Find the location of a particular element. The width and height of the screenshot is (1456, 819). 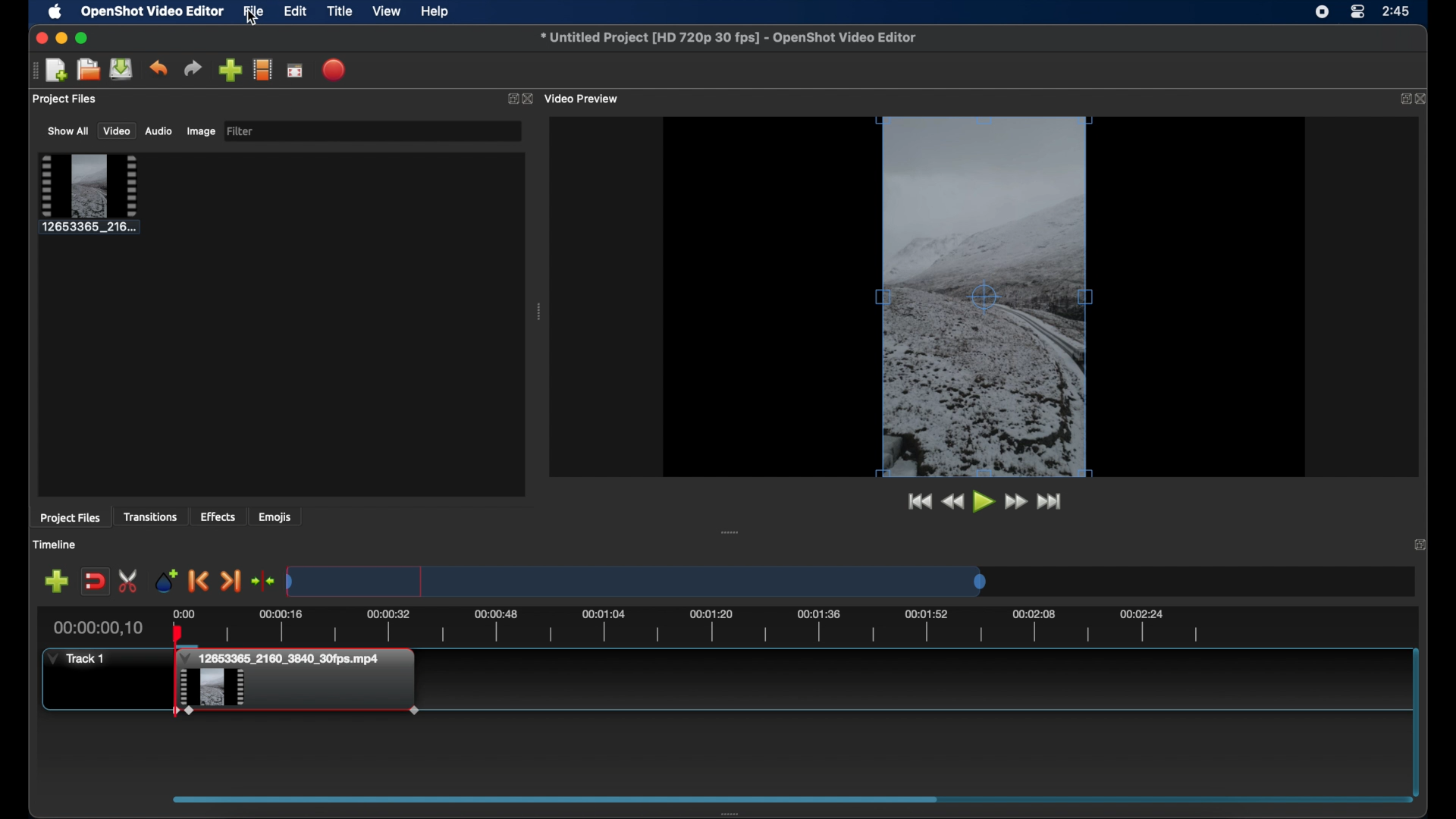

close is located at coordinates (1423, 99).